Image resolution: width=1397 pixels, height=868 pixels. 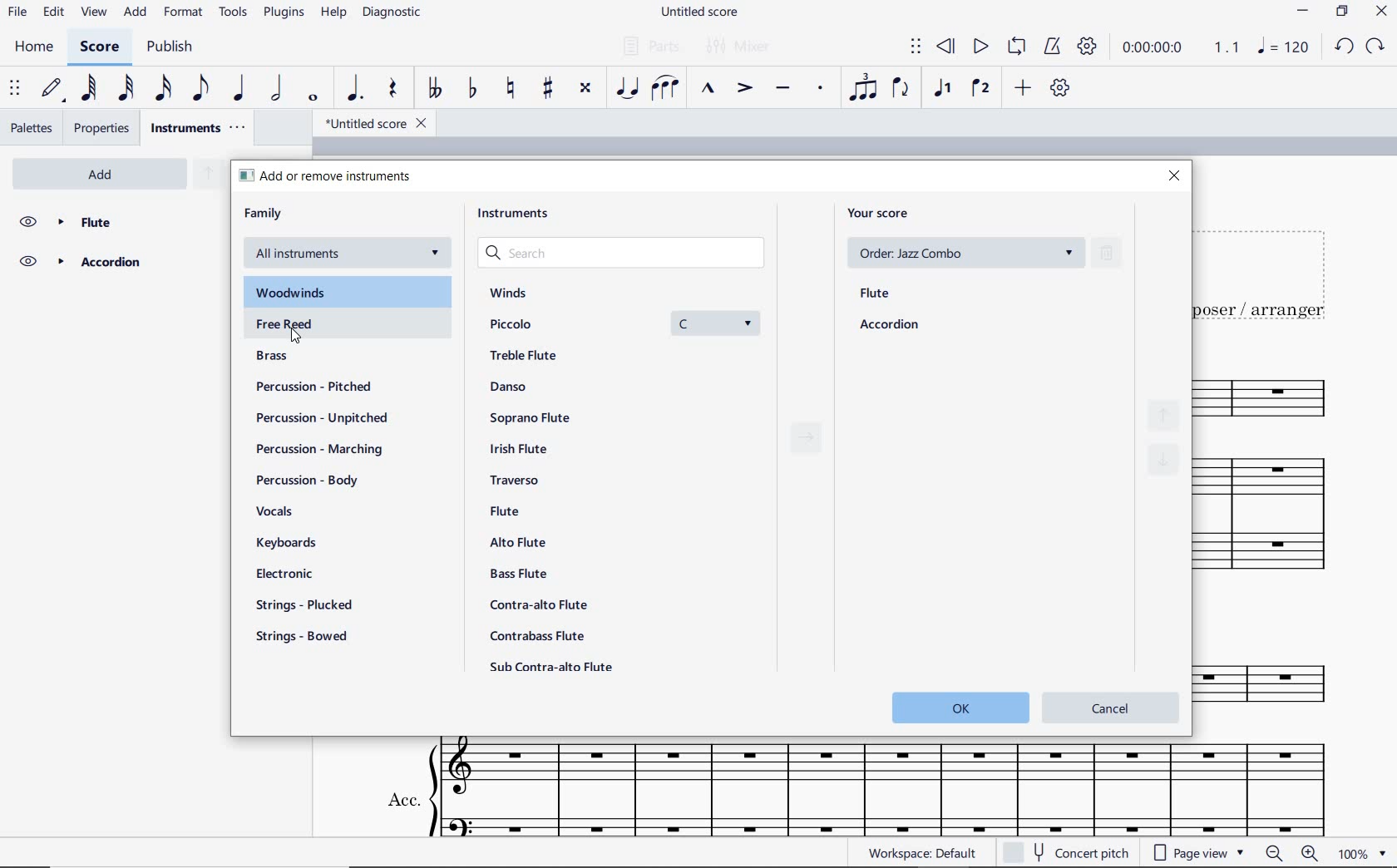 What do you see at coordinates (708, 90) in the screenshot?
I see `marcato` at bounding box center [708, 90].